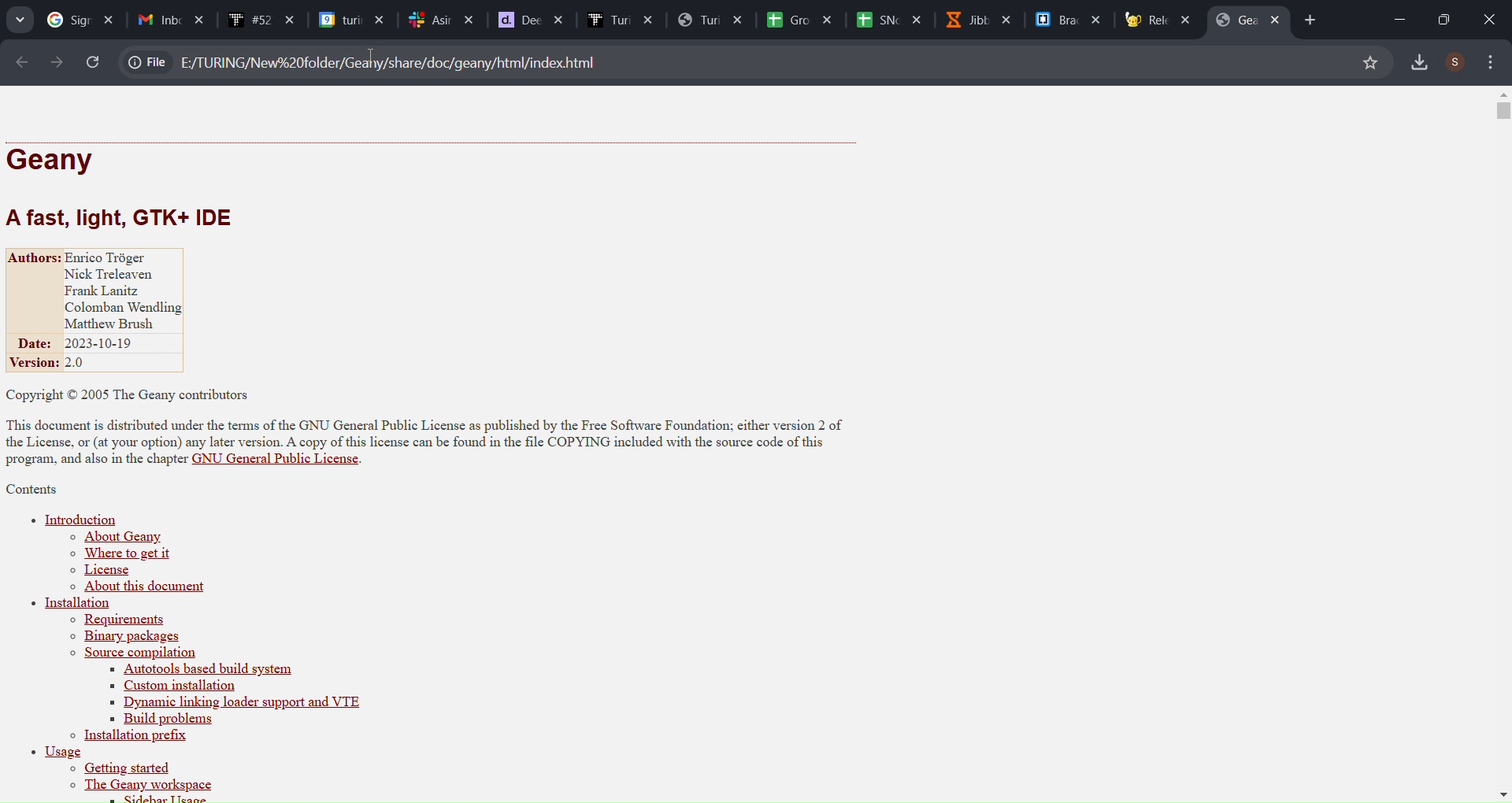 The image size is (1512, 803). I want to click on the greamy workspace, so click(143, 786).